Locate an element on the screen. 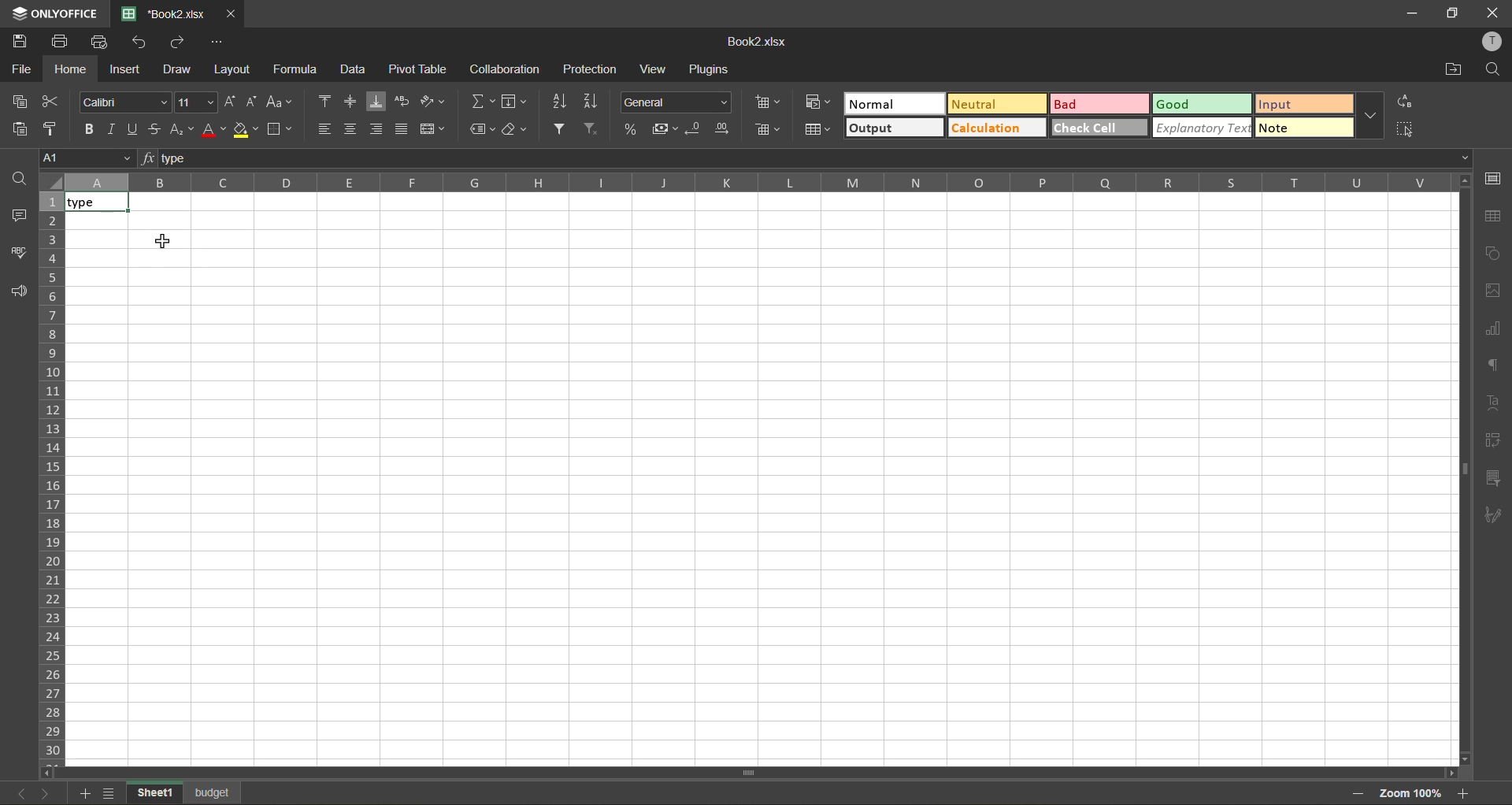 This screenshot has height=805, width=1512. zoom factor is located at coordinates (1411, 792).